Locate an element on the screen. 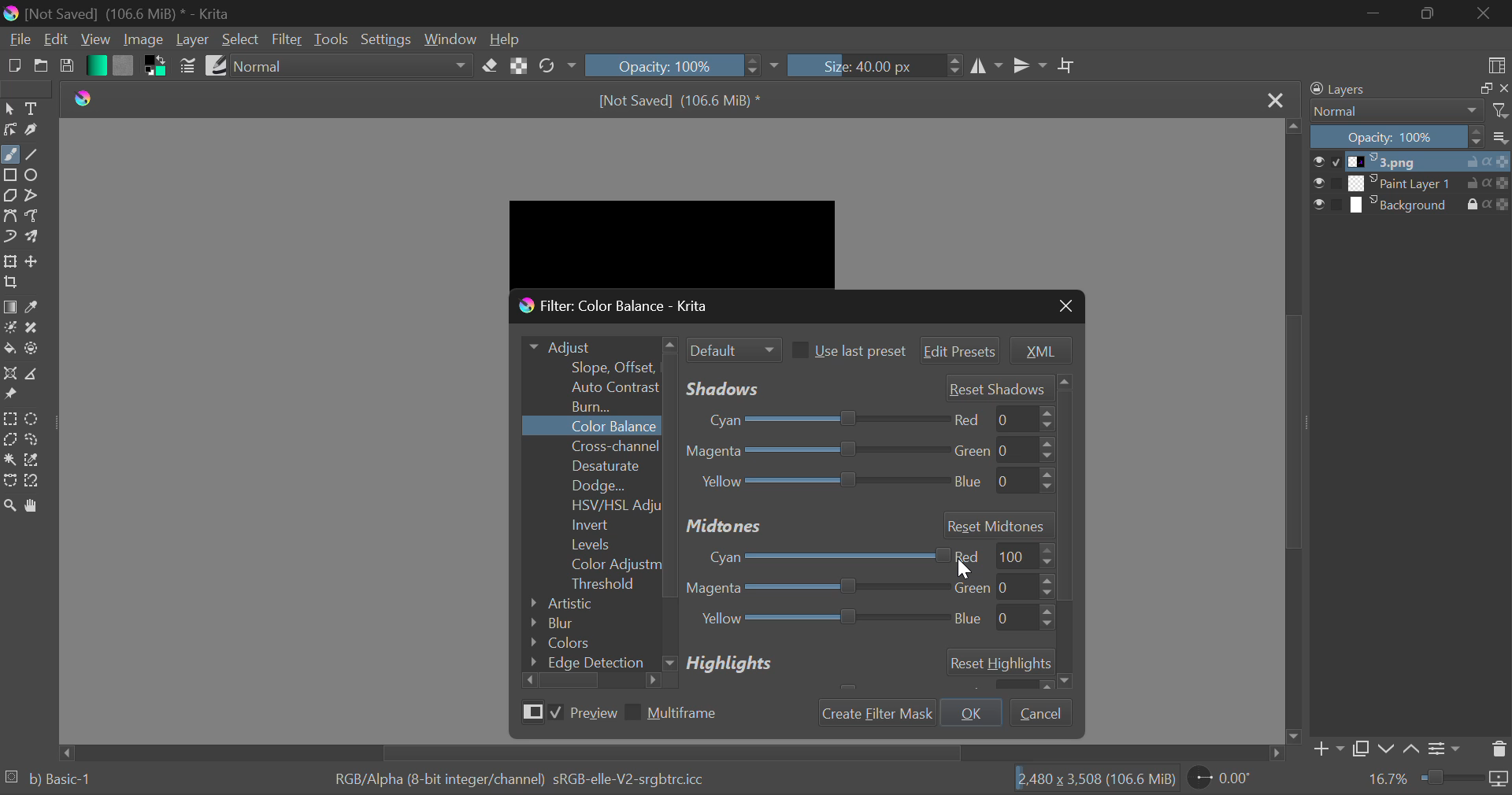  Similar Color Selector is located at coordinates (36, 460).